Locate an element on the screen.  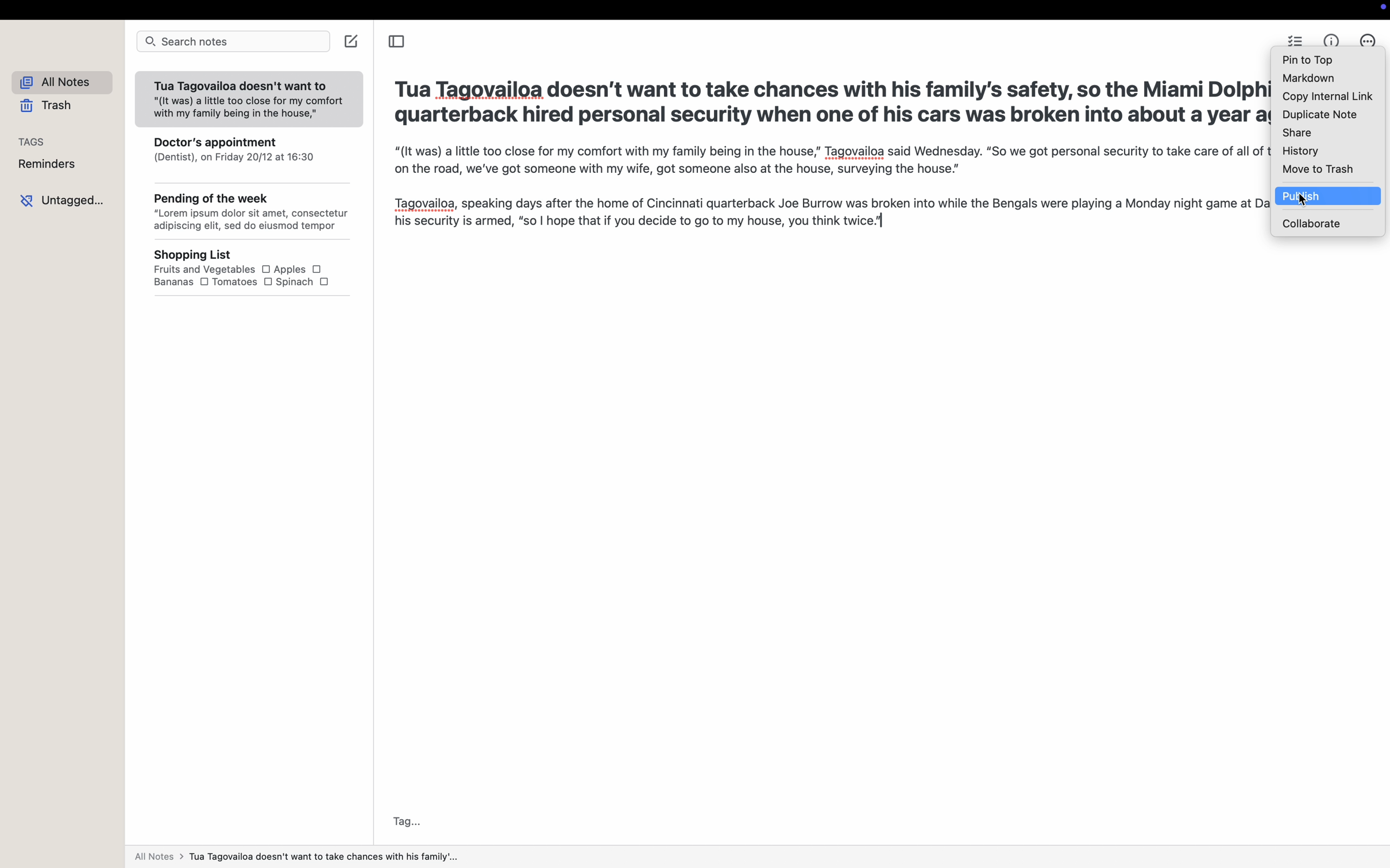
Tua Tagovailoa doesn't want to
"(It was) a little too close for my comfort
with my family being in the house," is located at coordinates (247, 100).